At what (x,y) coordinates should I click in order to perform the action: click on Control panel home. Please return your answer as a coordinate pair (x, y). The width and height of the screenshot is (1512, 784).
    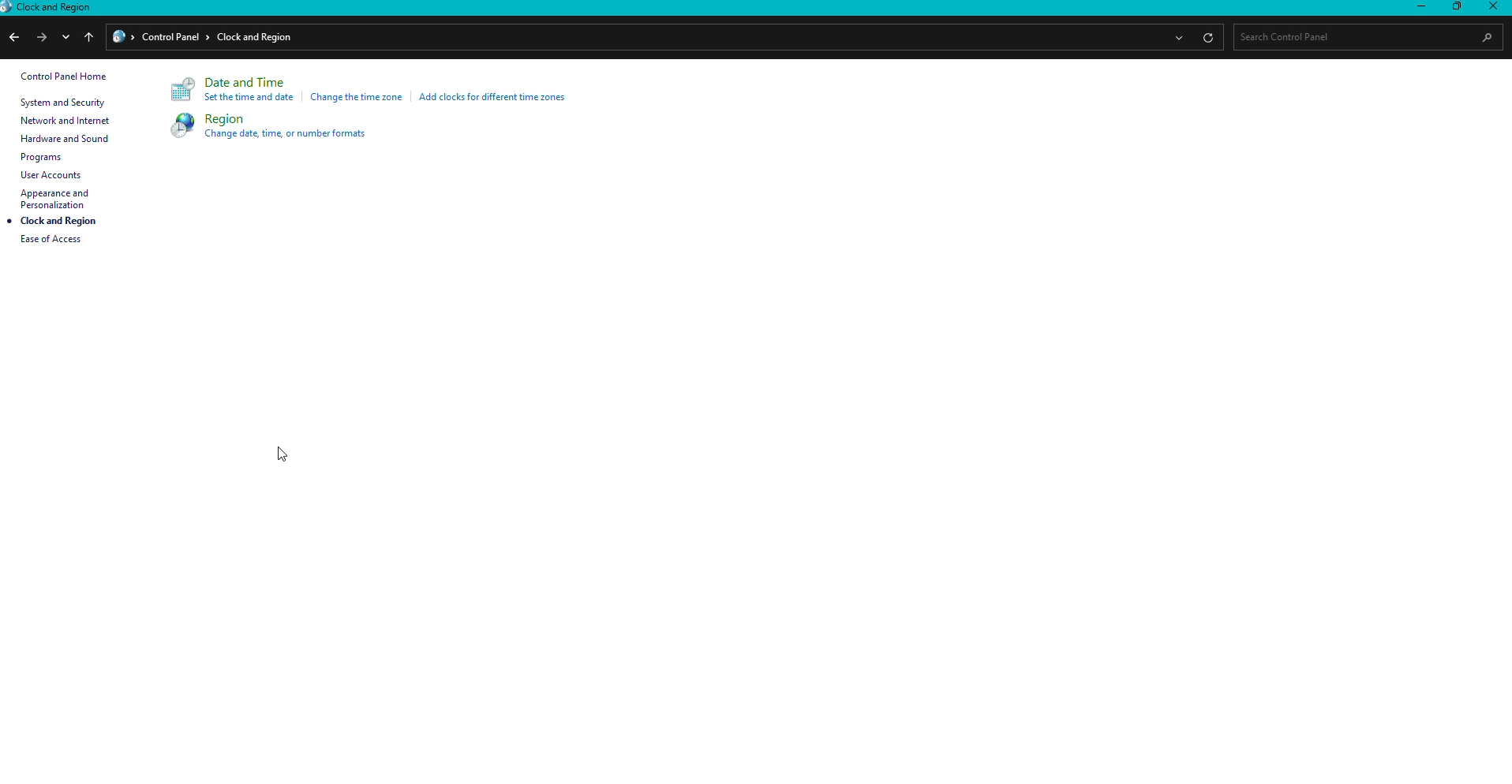
    Looking at the image, I should click on (64, 77).